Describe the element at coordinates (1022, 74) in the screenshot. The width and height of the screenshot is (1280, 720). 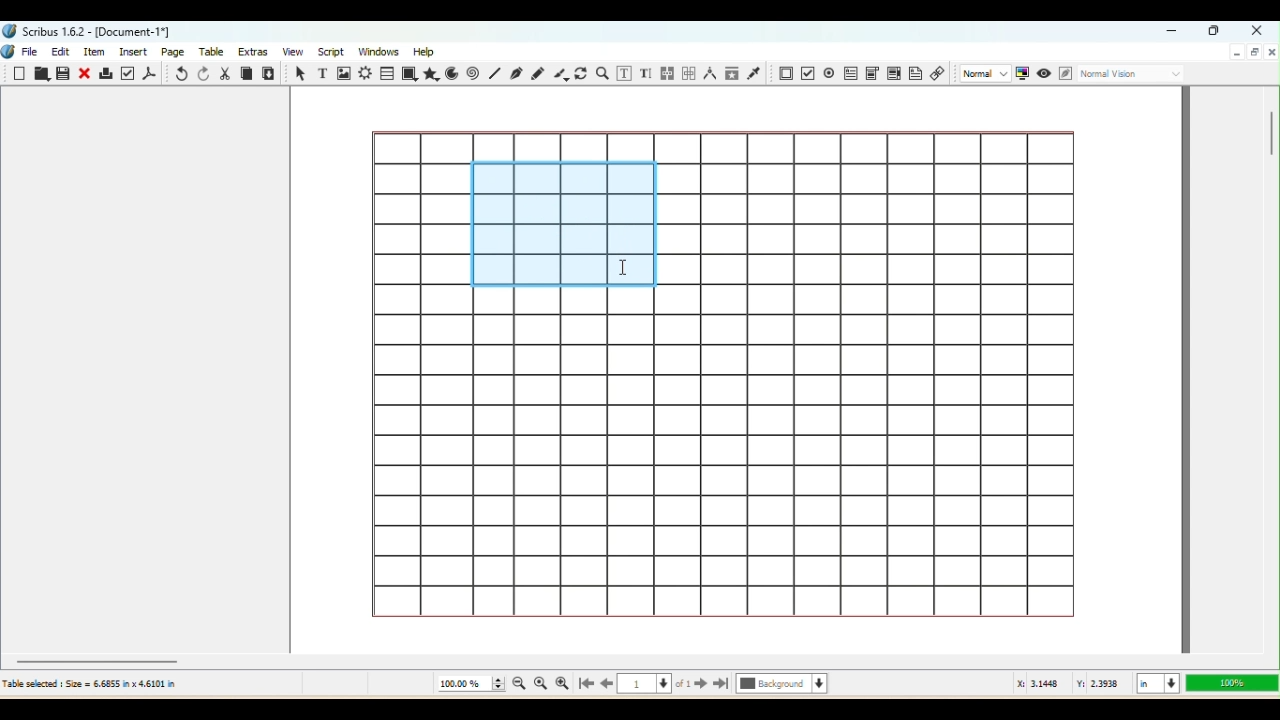
I see `Toggle color management system` at that location.